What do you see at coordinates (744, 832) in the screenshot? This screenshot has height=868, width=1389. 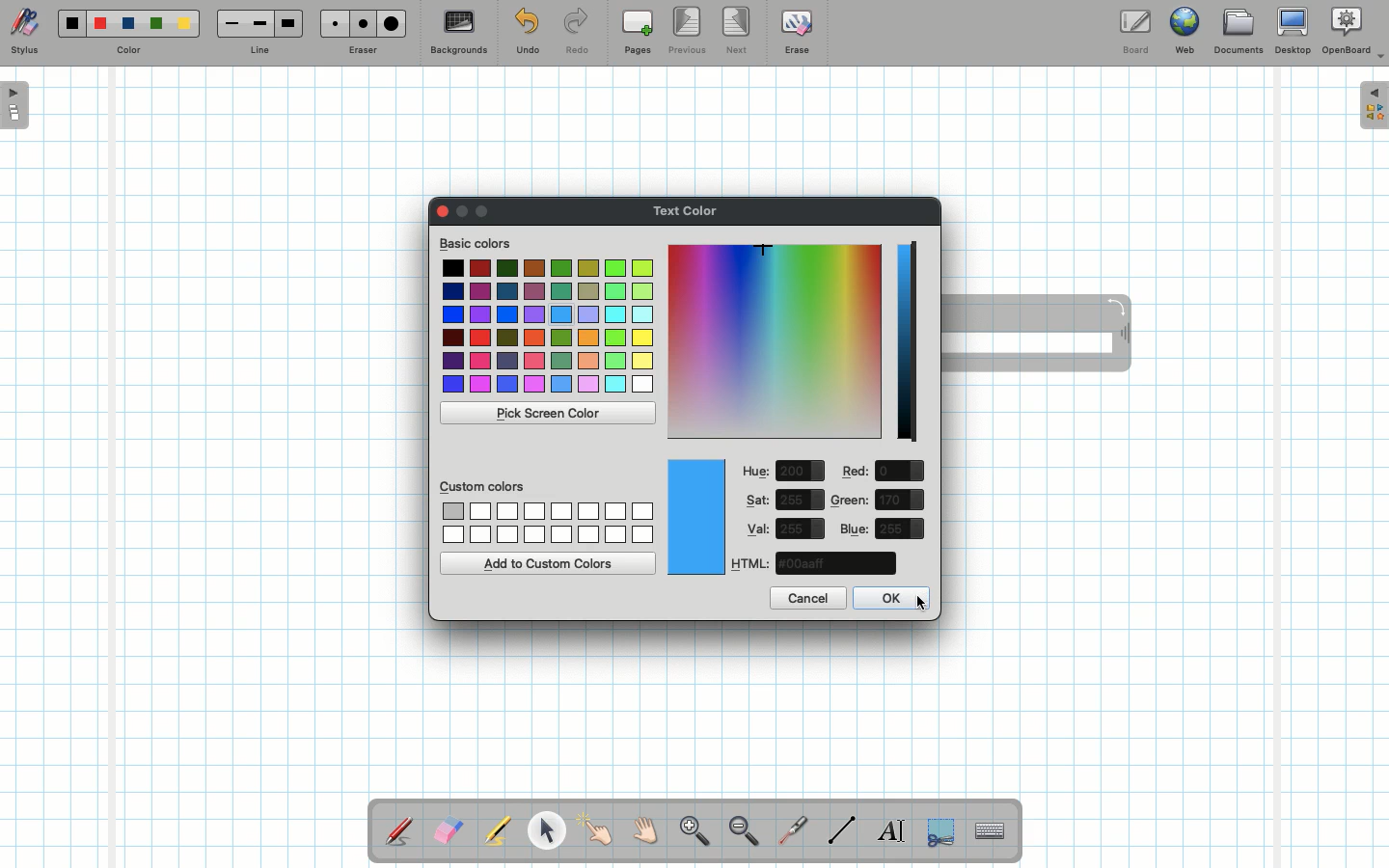 I see `Zoom out` at bounding box center [744, 832].